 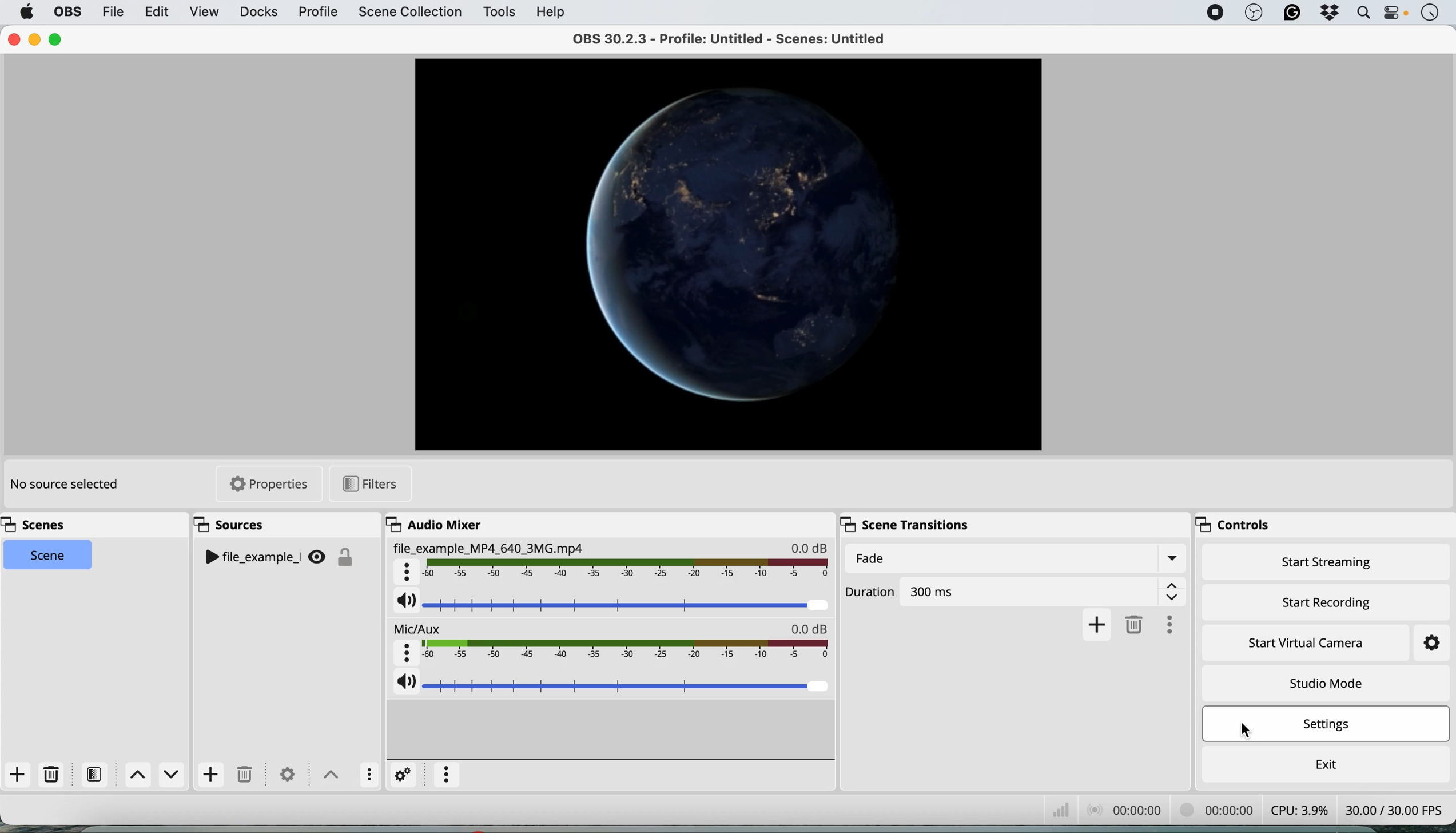 I want to click on exit, so click(x=1323, y=761).